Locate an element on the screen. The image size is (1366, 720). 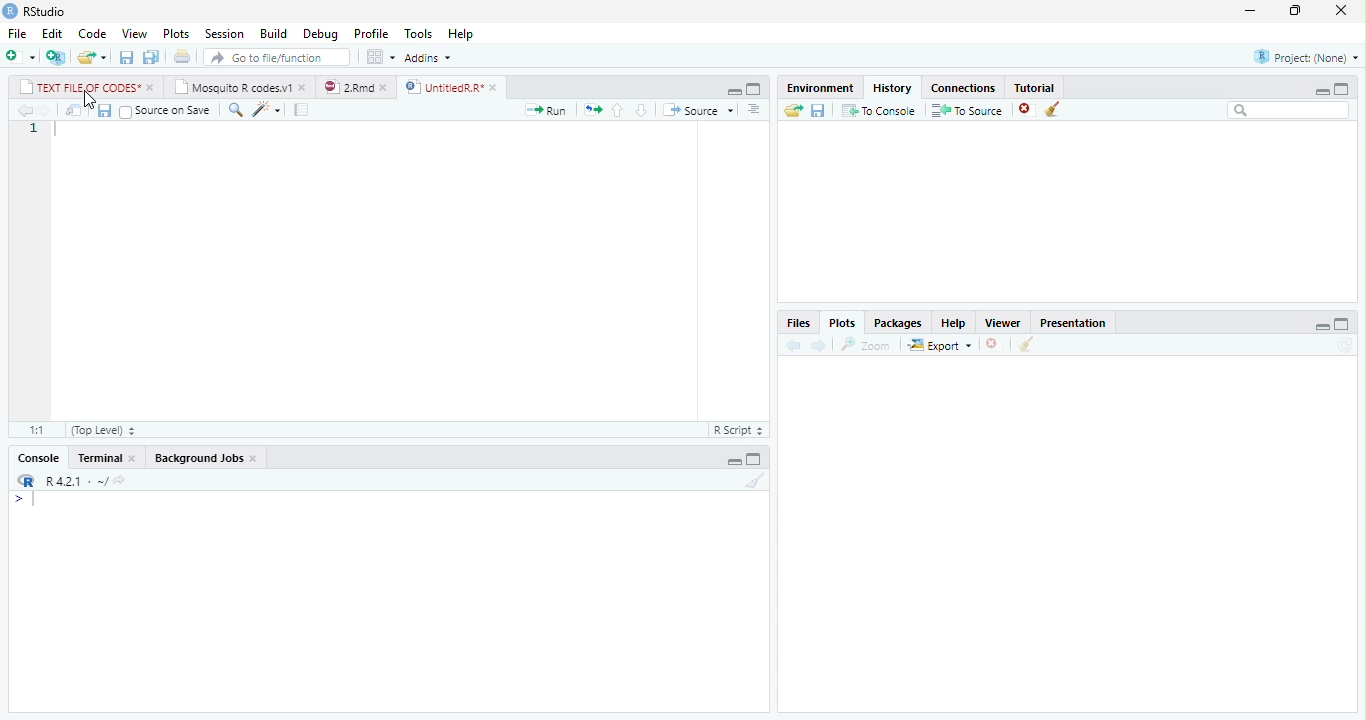
close is located at coordinates (387, 87).